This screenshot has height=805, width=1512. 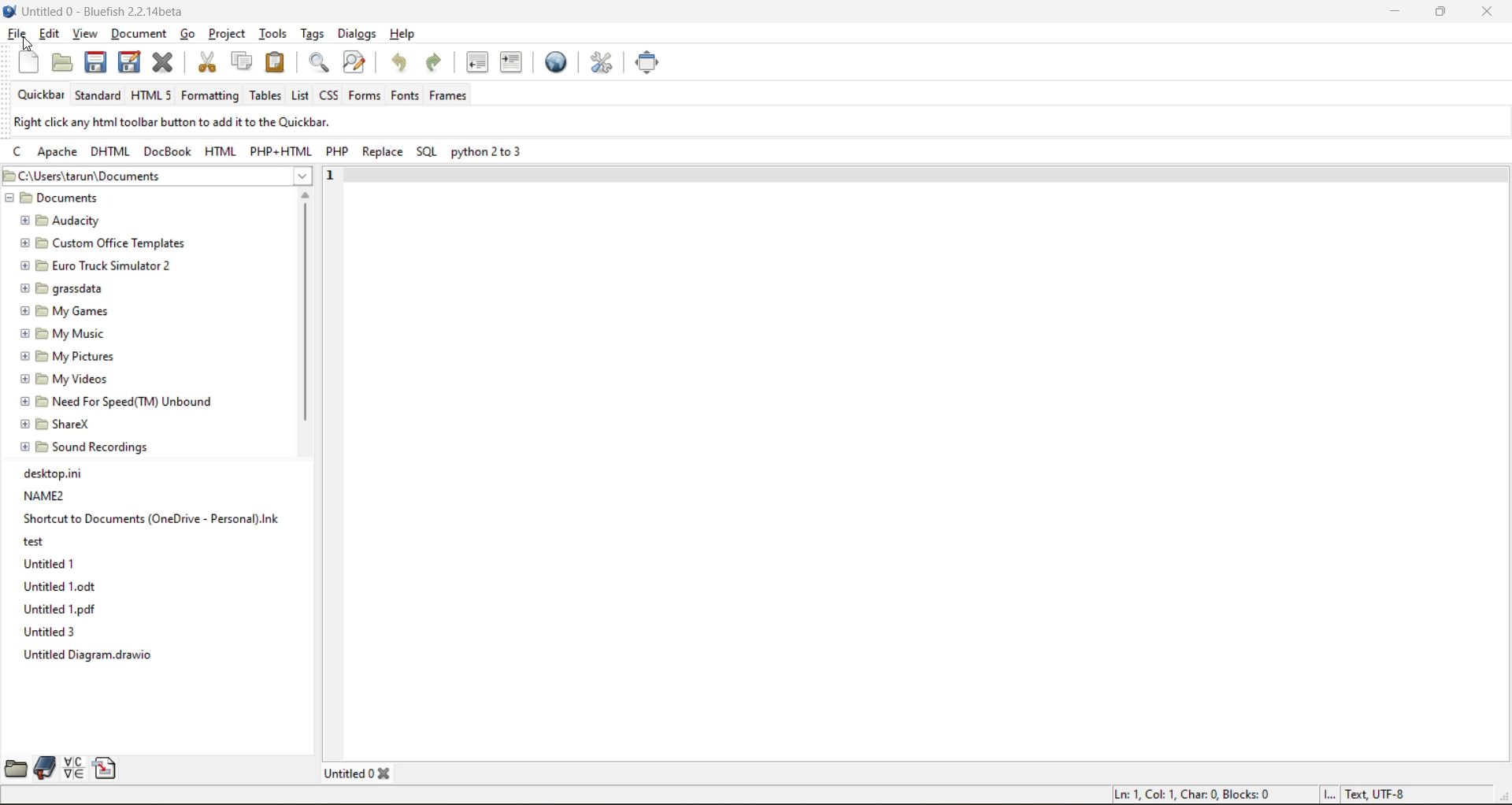 What do you see at coordinates (68, 287) in the screenshot?
I see `grassdata` at bounding box center [68, 287].